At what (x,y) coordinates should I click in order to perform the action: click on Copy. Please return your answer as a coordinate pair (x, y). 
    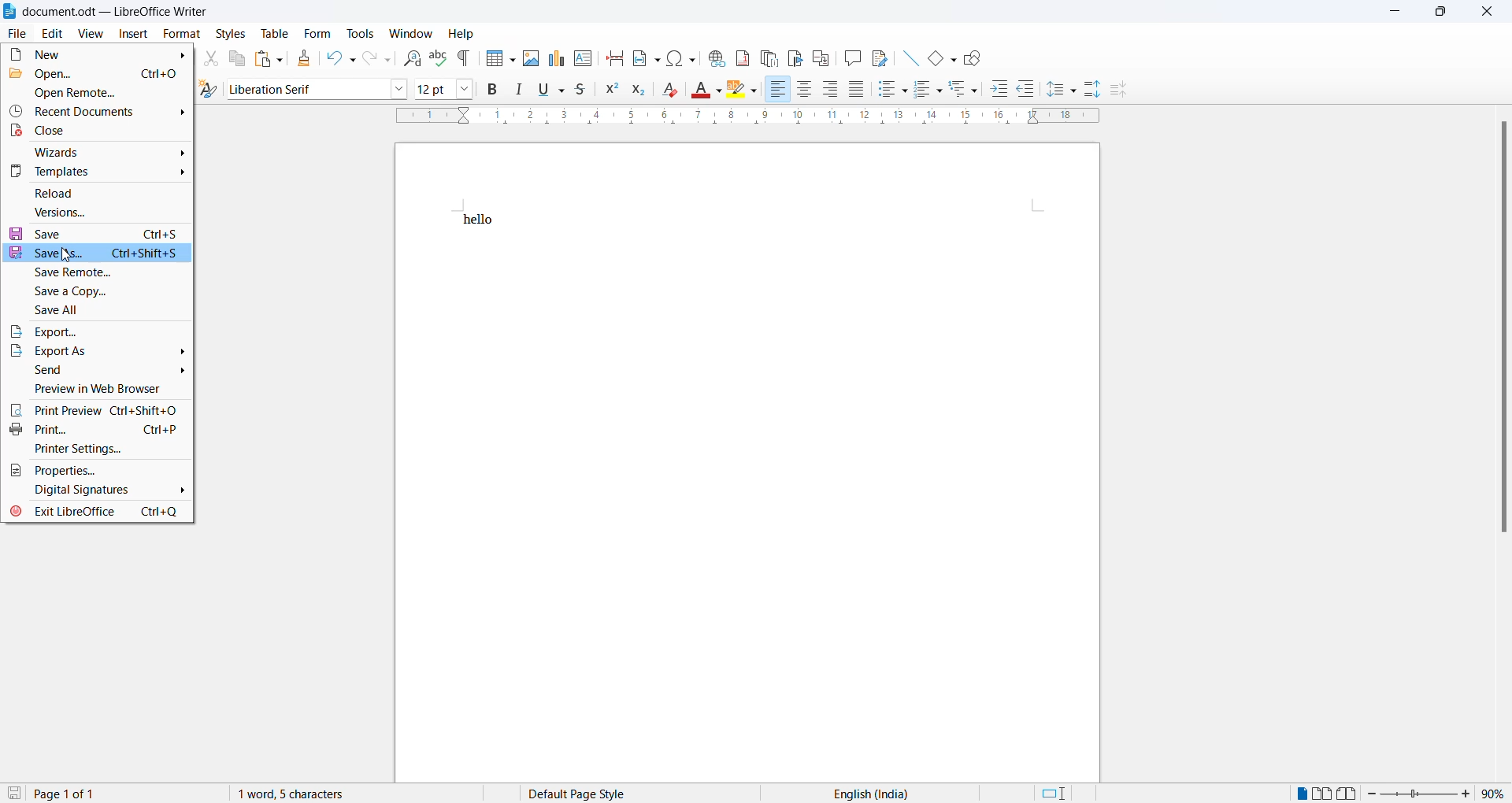
    Looking at the image, I should click on (235, 59).